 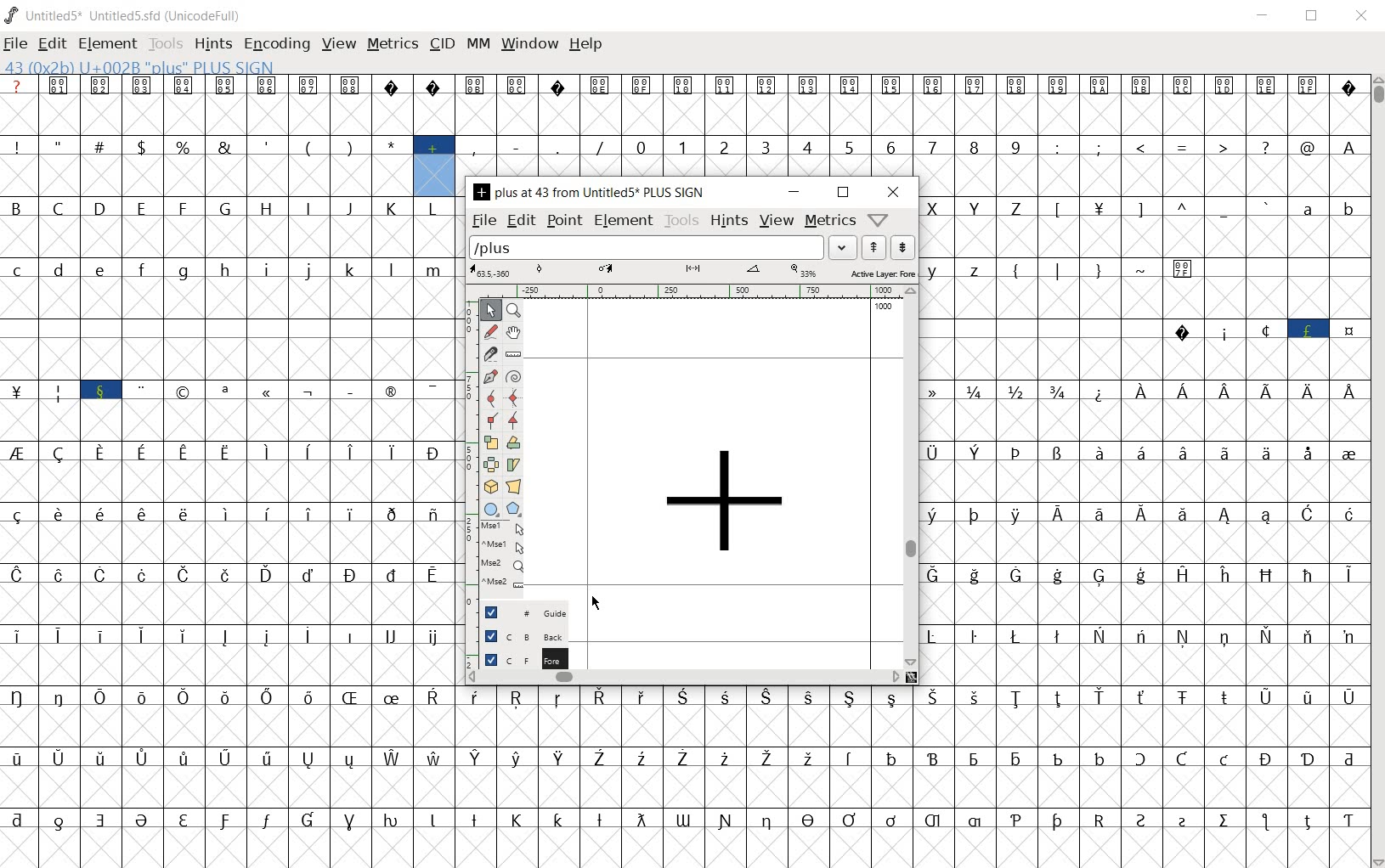 I want to click on 43 (0X2B) u+002b "plus" PLUS SIGN, so click(x=142, y=67).